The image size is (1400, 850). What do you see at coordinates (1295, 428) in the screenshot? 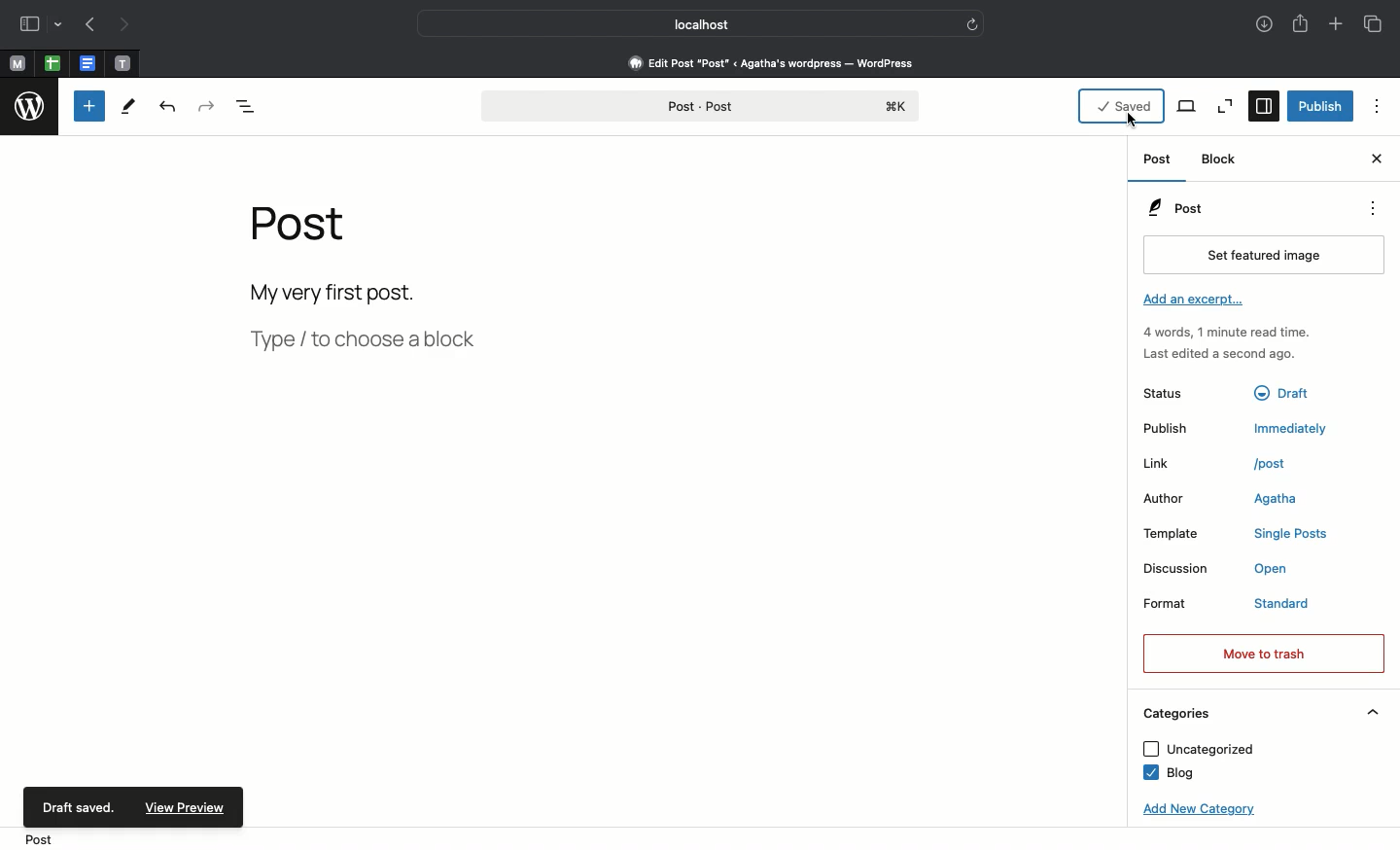
I see `Immediately` at bounding box center [1295, 428].